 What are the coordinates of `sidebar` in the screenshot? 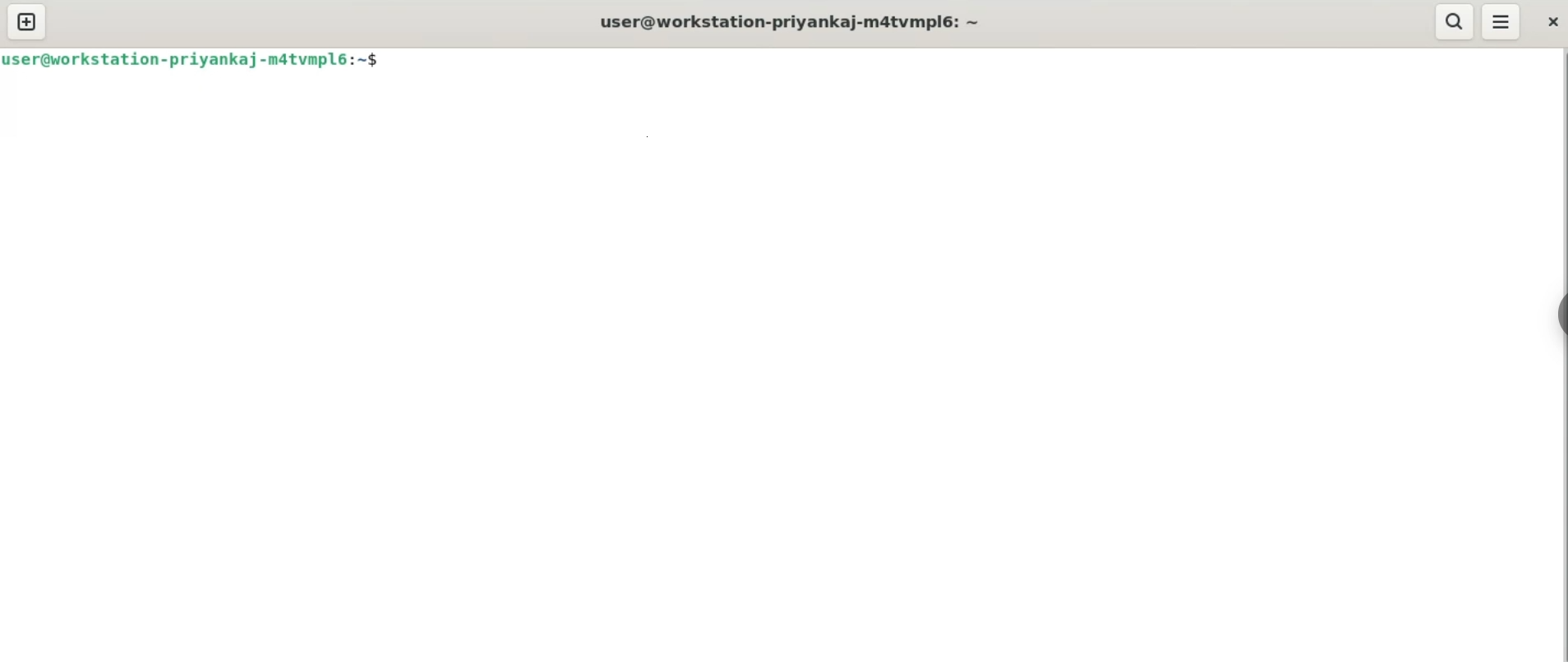 It's located at (1556, 315).